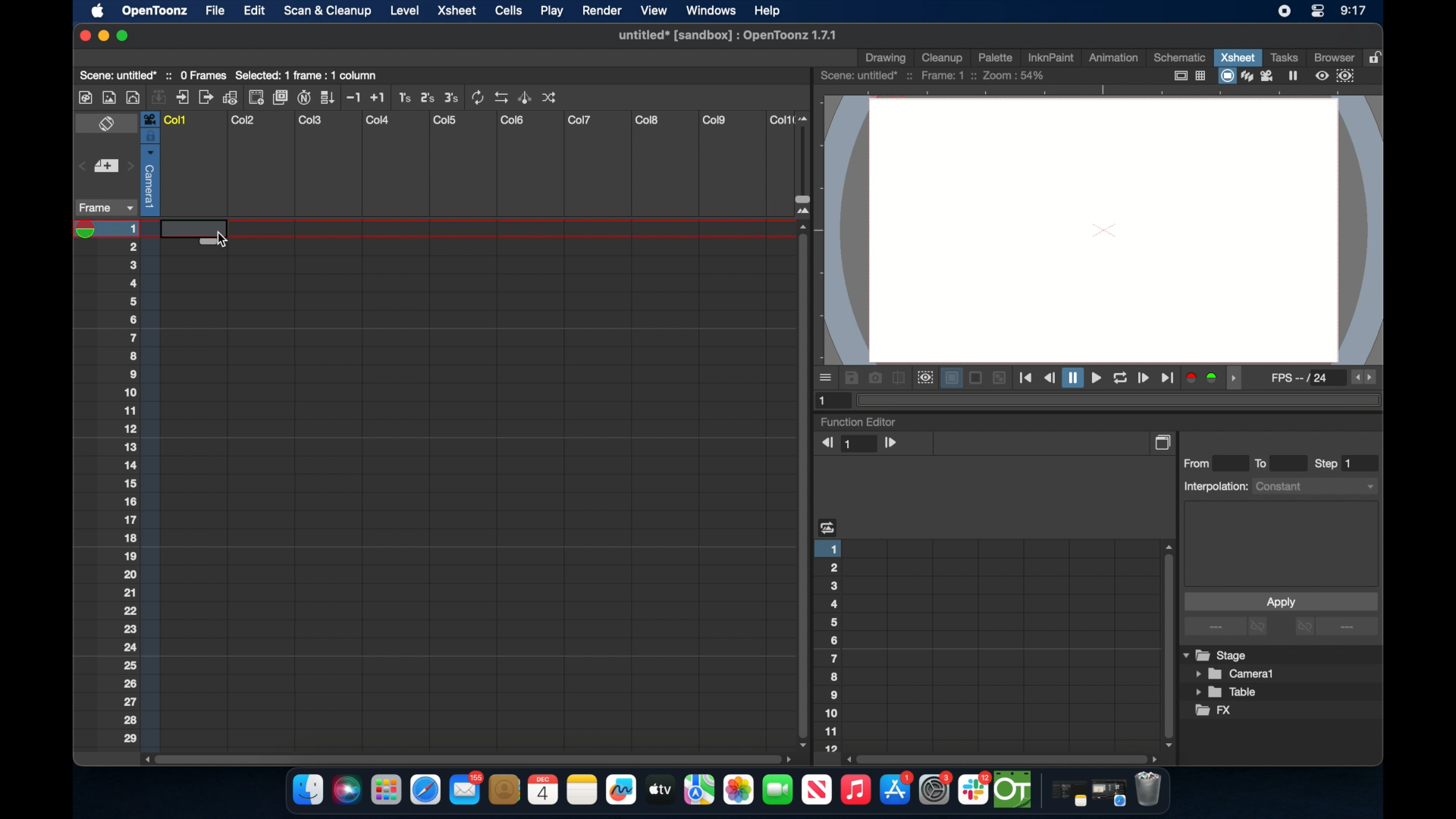  What do you see at coordinates (852, 378) in the screenshot?
I see `save` at bounding box center [852, 378].